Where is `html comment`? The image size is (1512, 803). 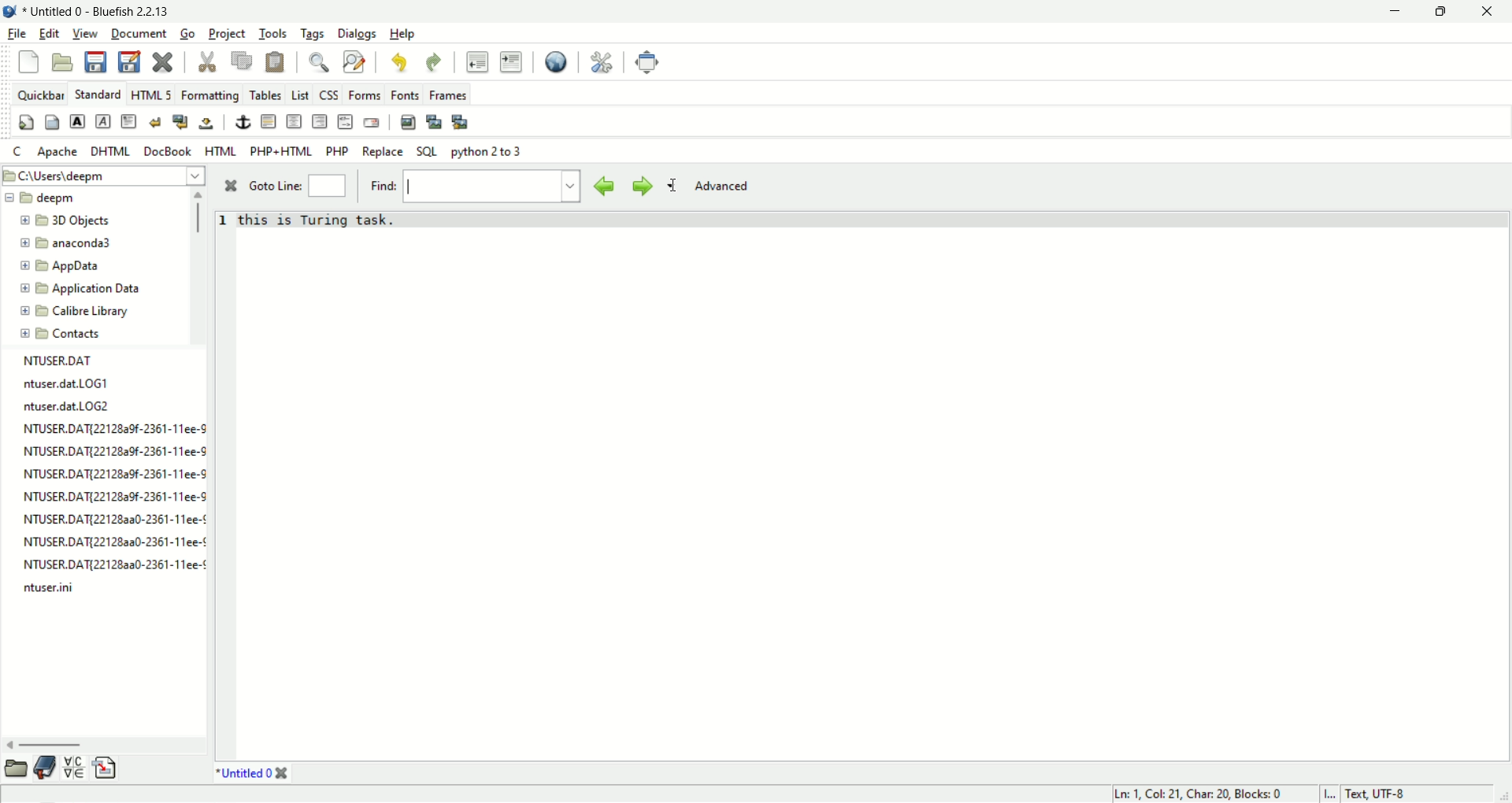
html comment is located at coordinates (346, 121).